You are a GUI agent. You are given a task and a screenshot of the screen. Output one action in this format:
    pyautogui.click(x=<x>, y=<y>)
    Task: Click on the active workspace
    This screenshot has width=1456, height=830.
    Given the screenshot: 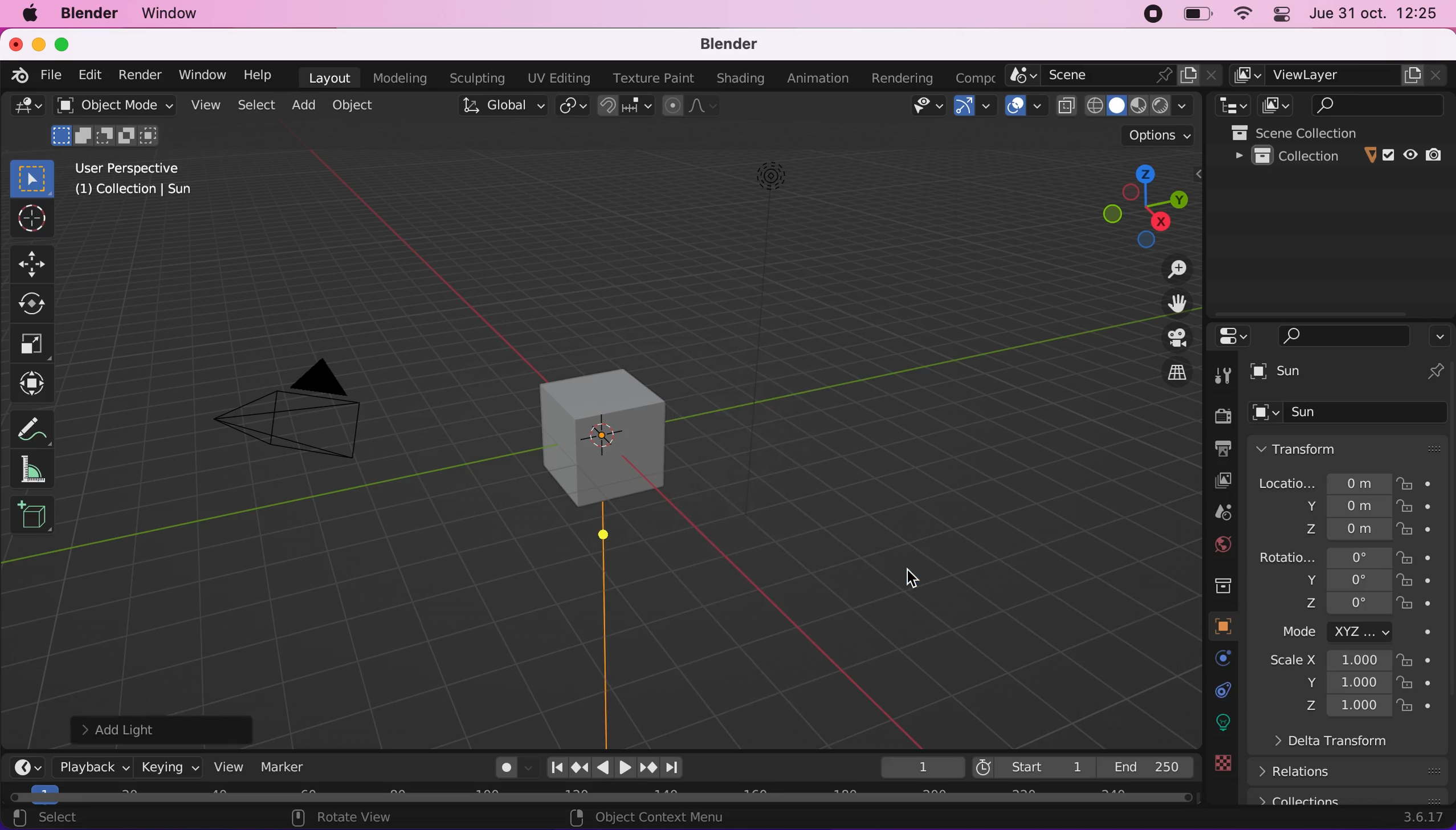 What is the action you would take?
    pyautogui.click(x=970, y=78)
    